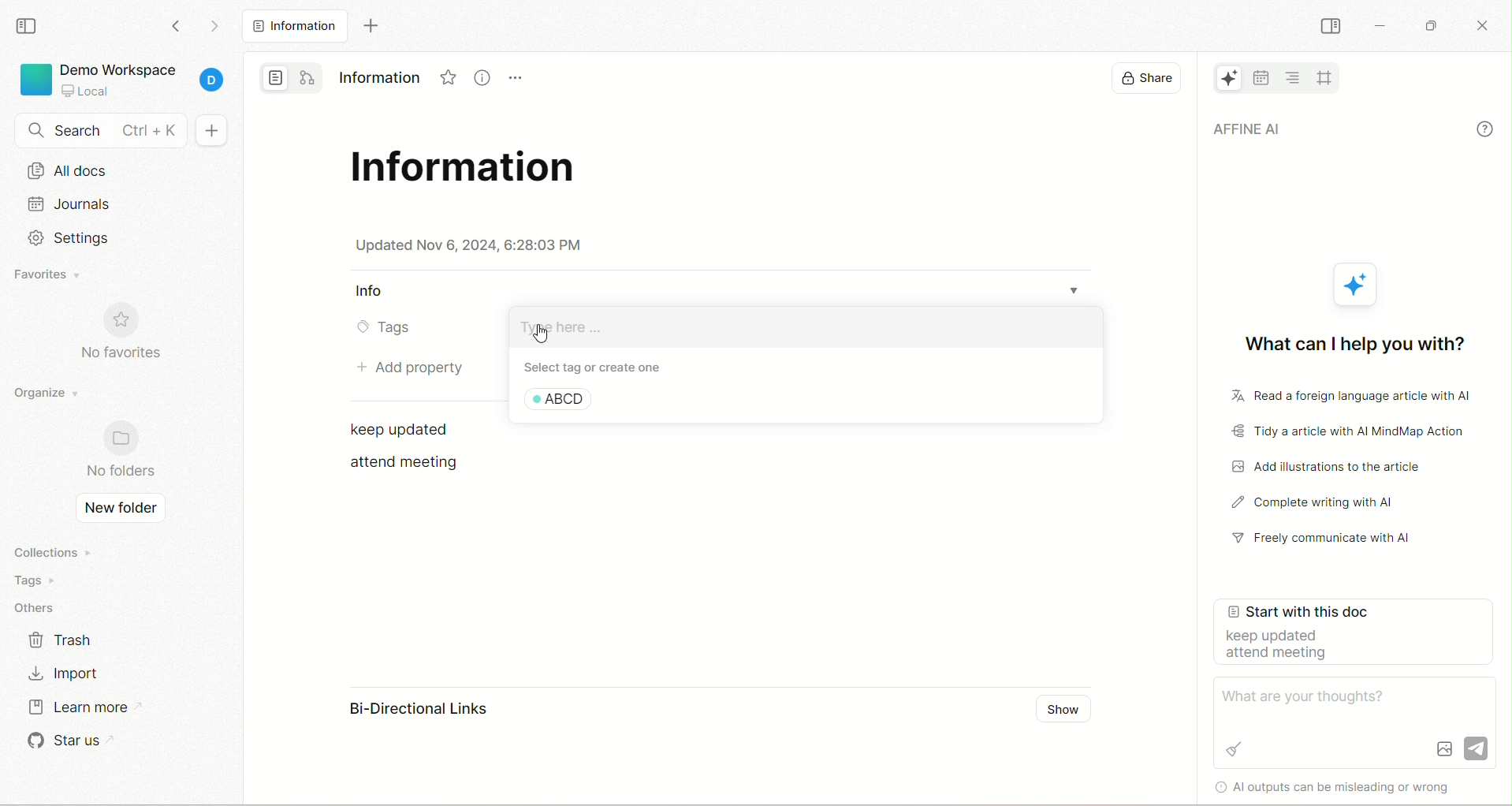  What do you see at coordinates (117, 67) in the screenshot?
I see `demo workspace` at bounding box center [117, 67].